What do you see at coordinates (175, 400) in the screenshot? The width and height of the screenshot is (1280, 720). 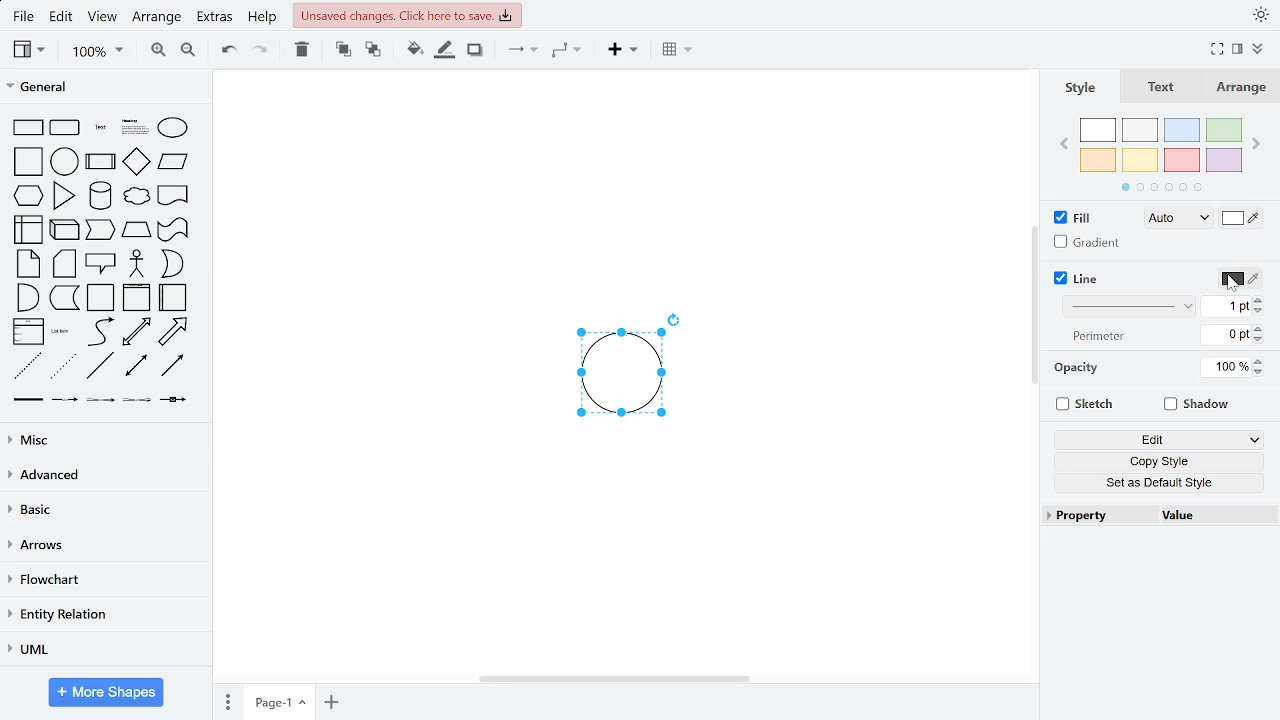 I see `link with symbol` at bounding box center [175, 400].